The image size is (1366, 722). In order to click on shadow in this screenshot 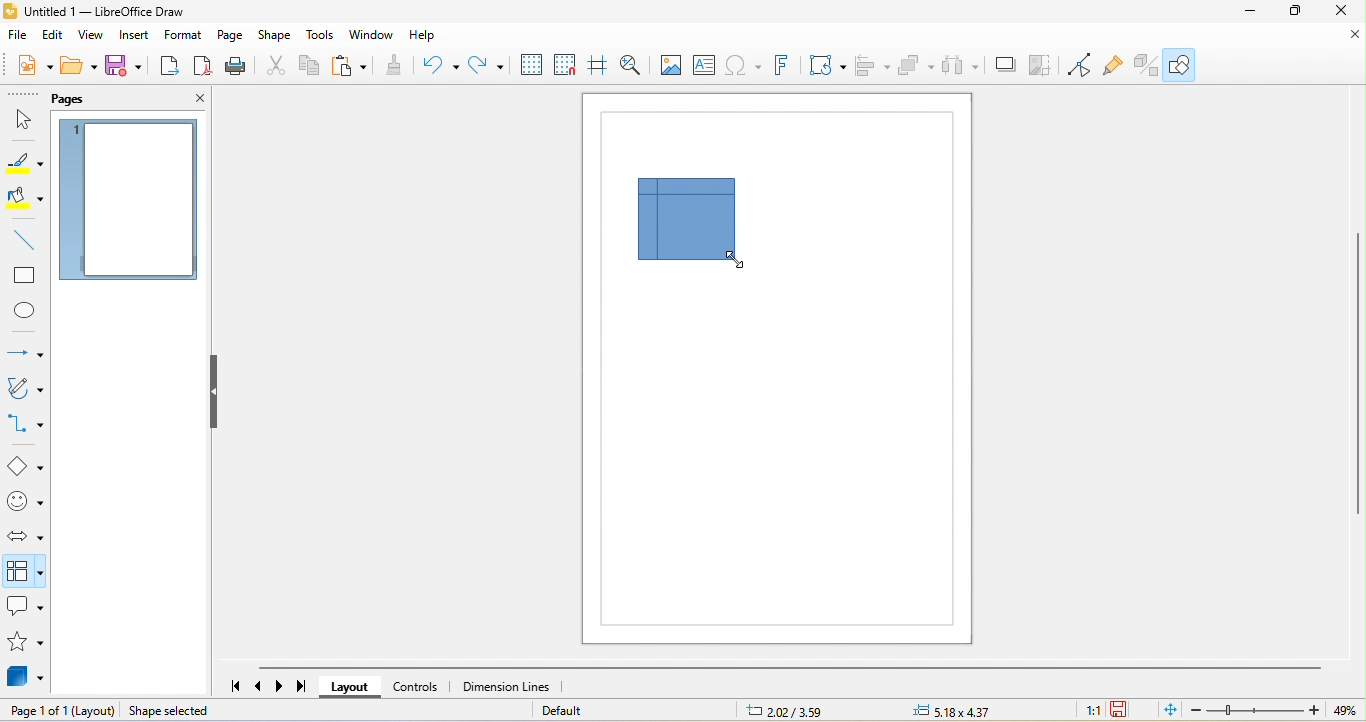, I will do `click(1009, 65)`.